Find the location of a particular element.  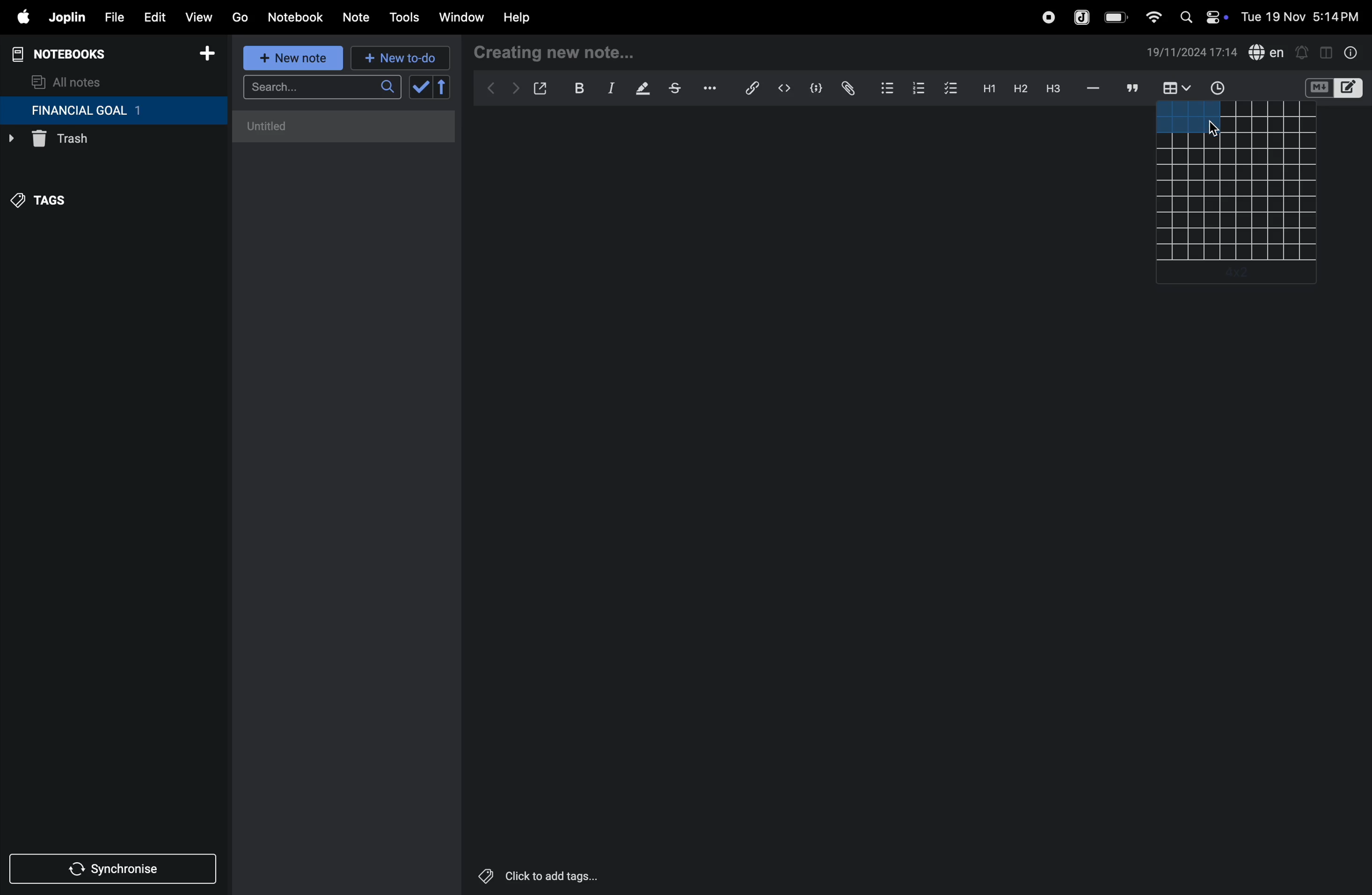

go is located at coordinates (240, 16).